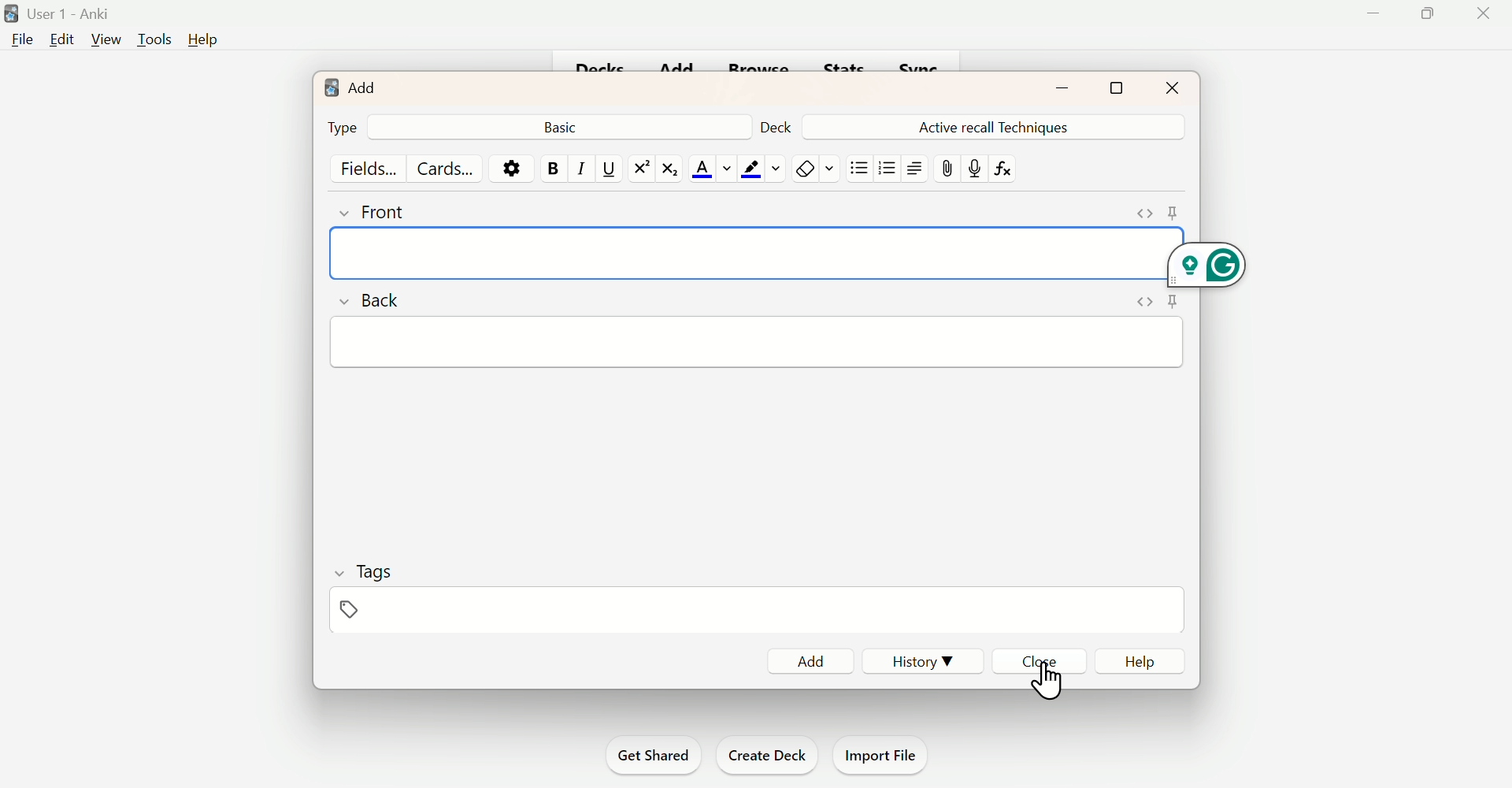  What do you see at coordinates (449, 168) in the screenshot?
I see `Cards` at bounding box center [449, 168].